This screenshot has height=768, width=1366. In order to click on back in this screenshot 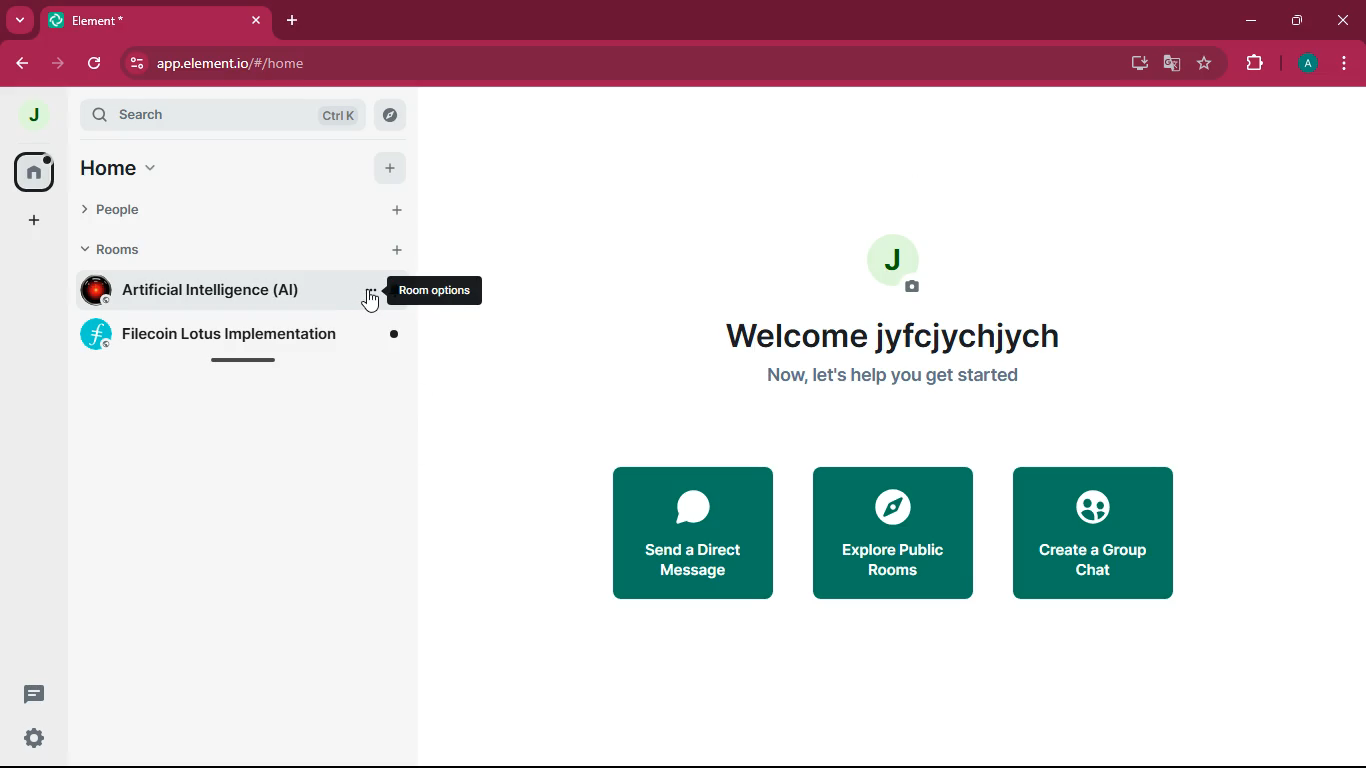, I will do `click(23, 66)`.